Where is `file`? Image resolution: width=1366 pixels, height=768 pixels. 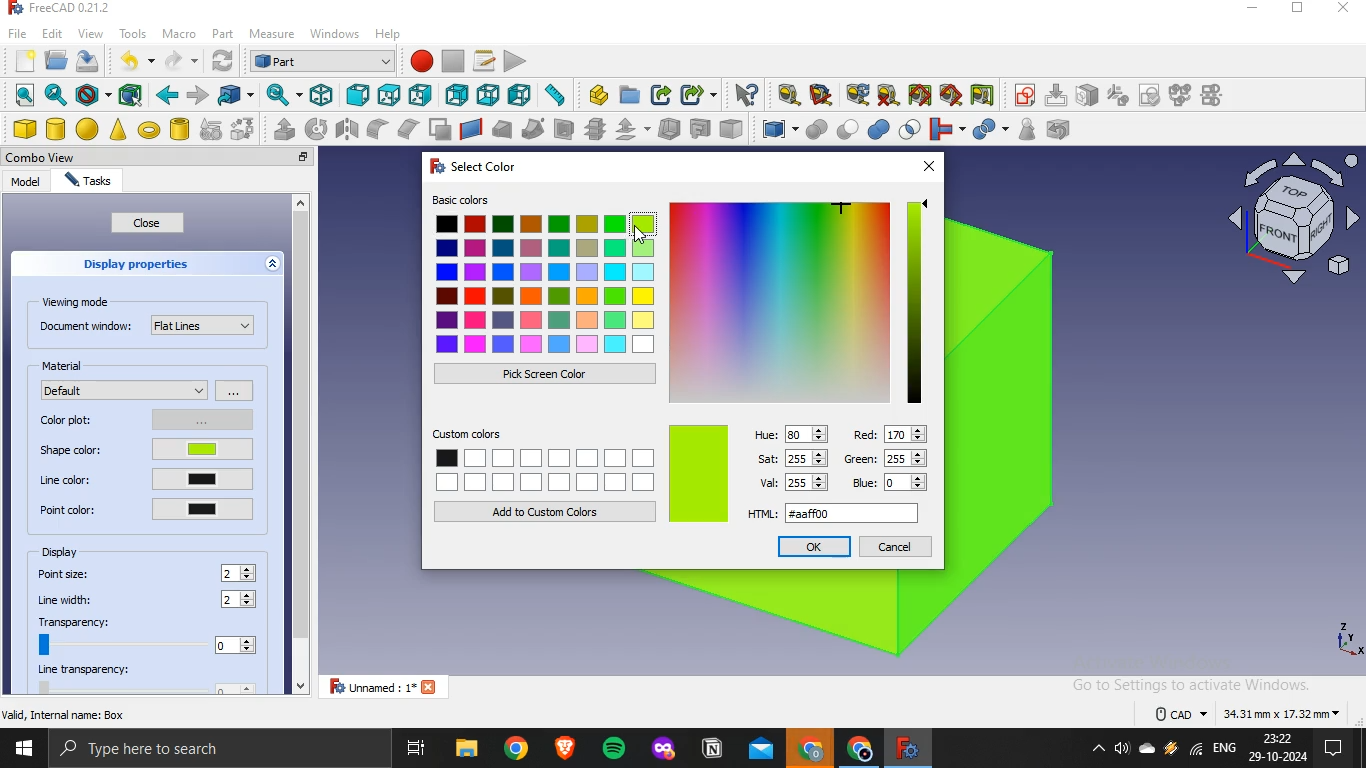
file is located at coordinates (18, 32).